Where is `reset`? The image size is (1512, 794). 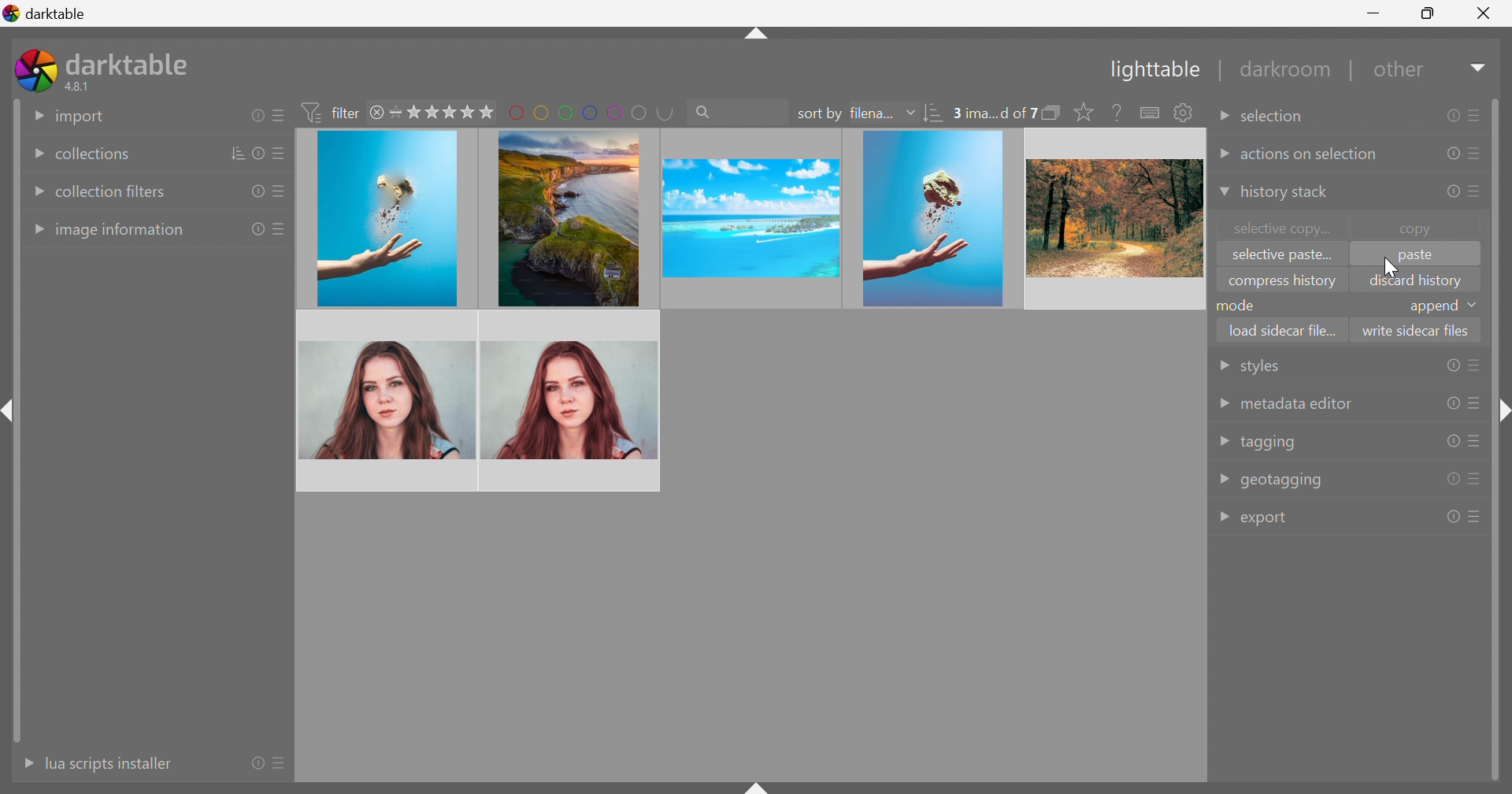
reset is located at coordinates (1453, 517).